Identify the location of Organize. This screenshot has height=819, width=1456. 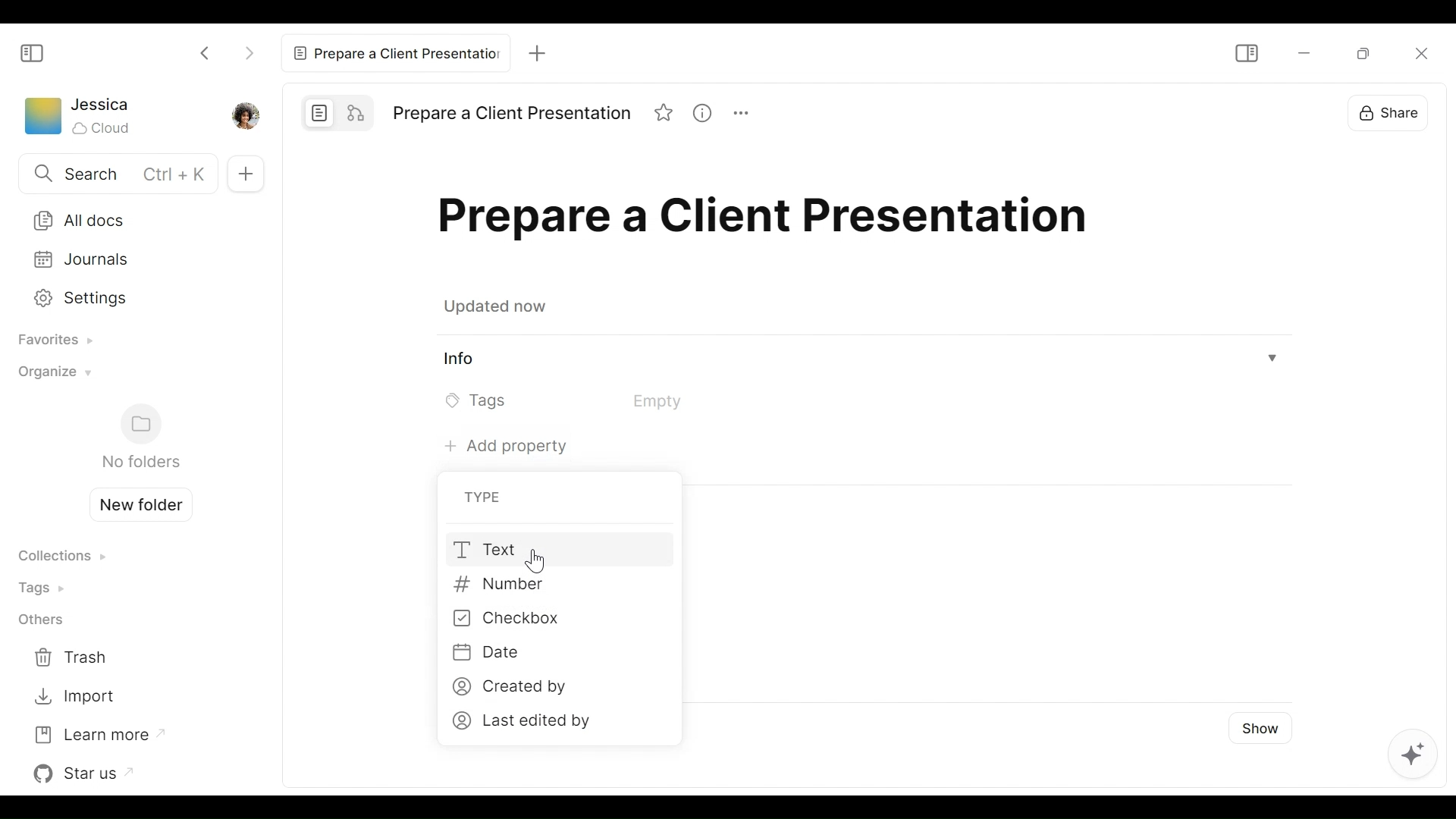
(51, 376).